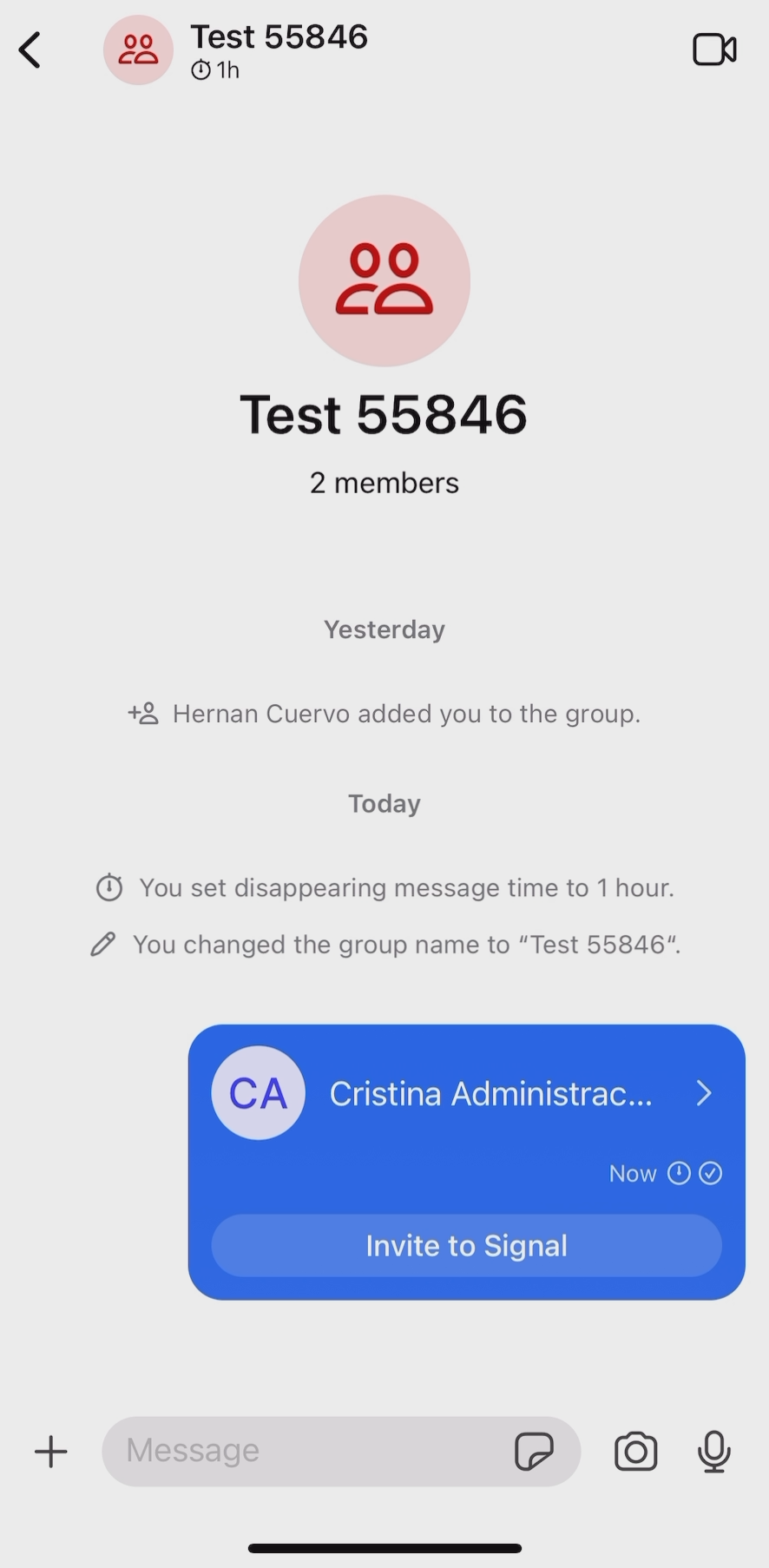 The width and height of the screenshot is (769, 1568). Describe the element at coordinates (387, 709) in the screenshot. I see ` Hernan Cuervo added you to the group.` at that location.